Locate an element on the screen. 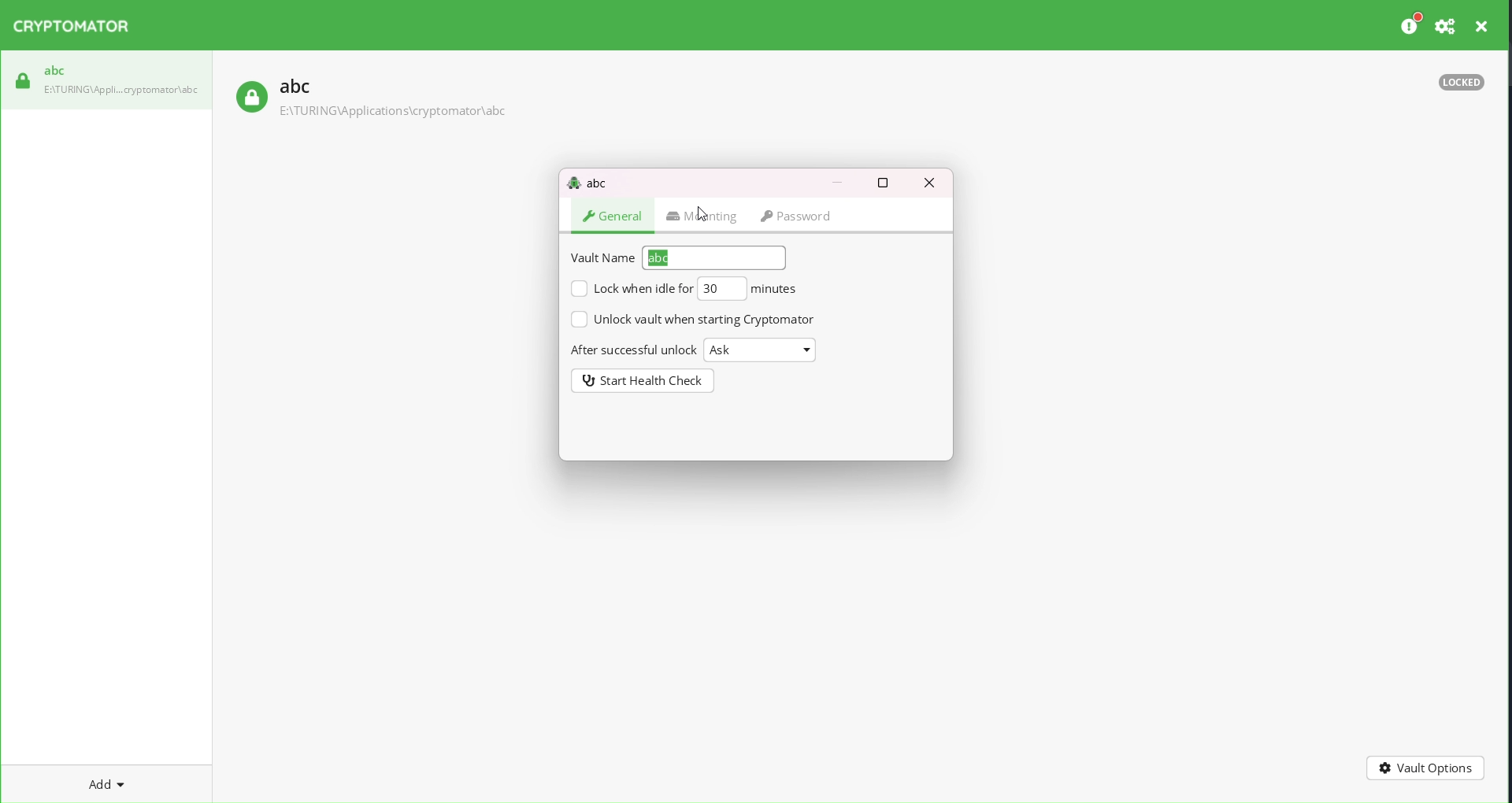 The width and height of the screenshot is (1512, 803). close is located at coordinates (1483, 26).